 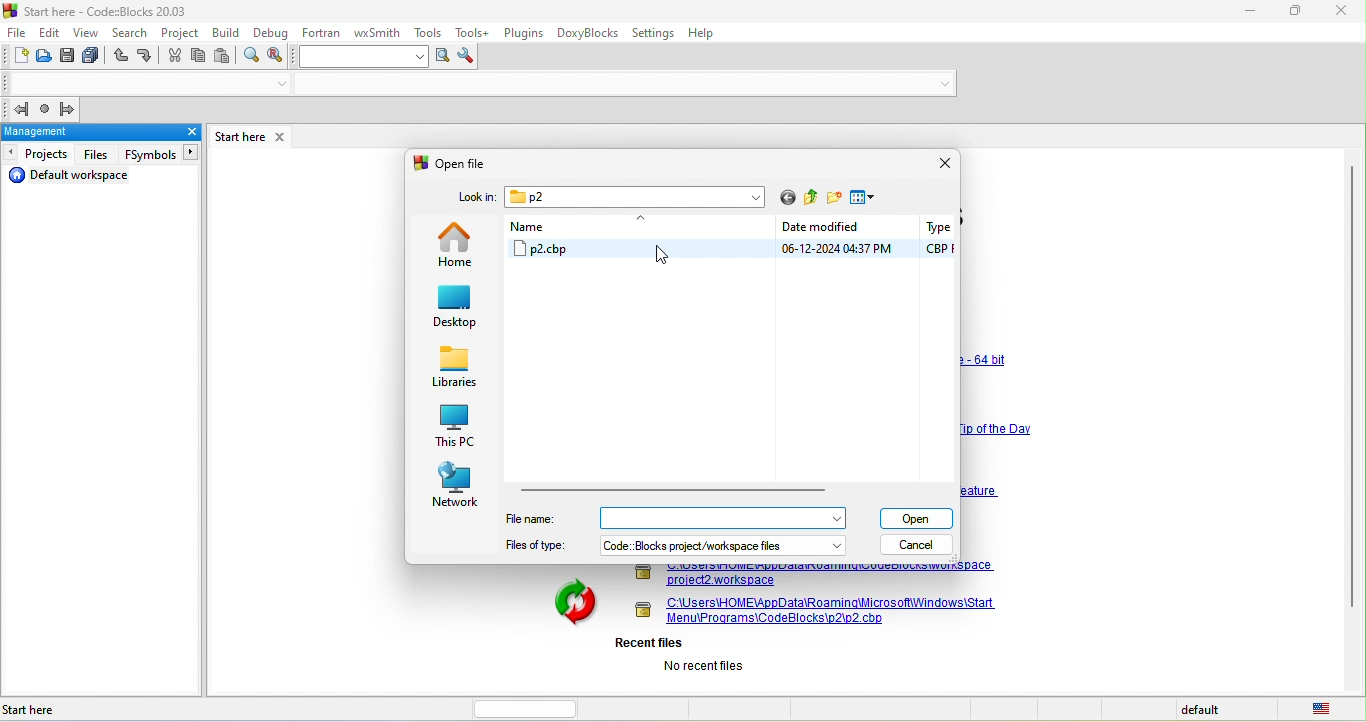 I want to click on close, so click(x=279, y=138).